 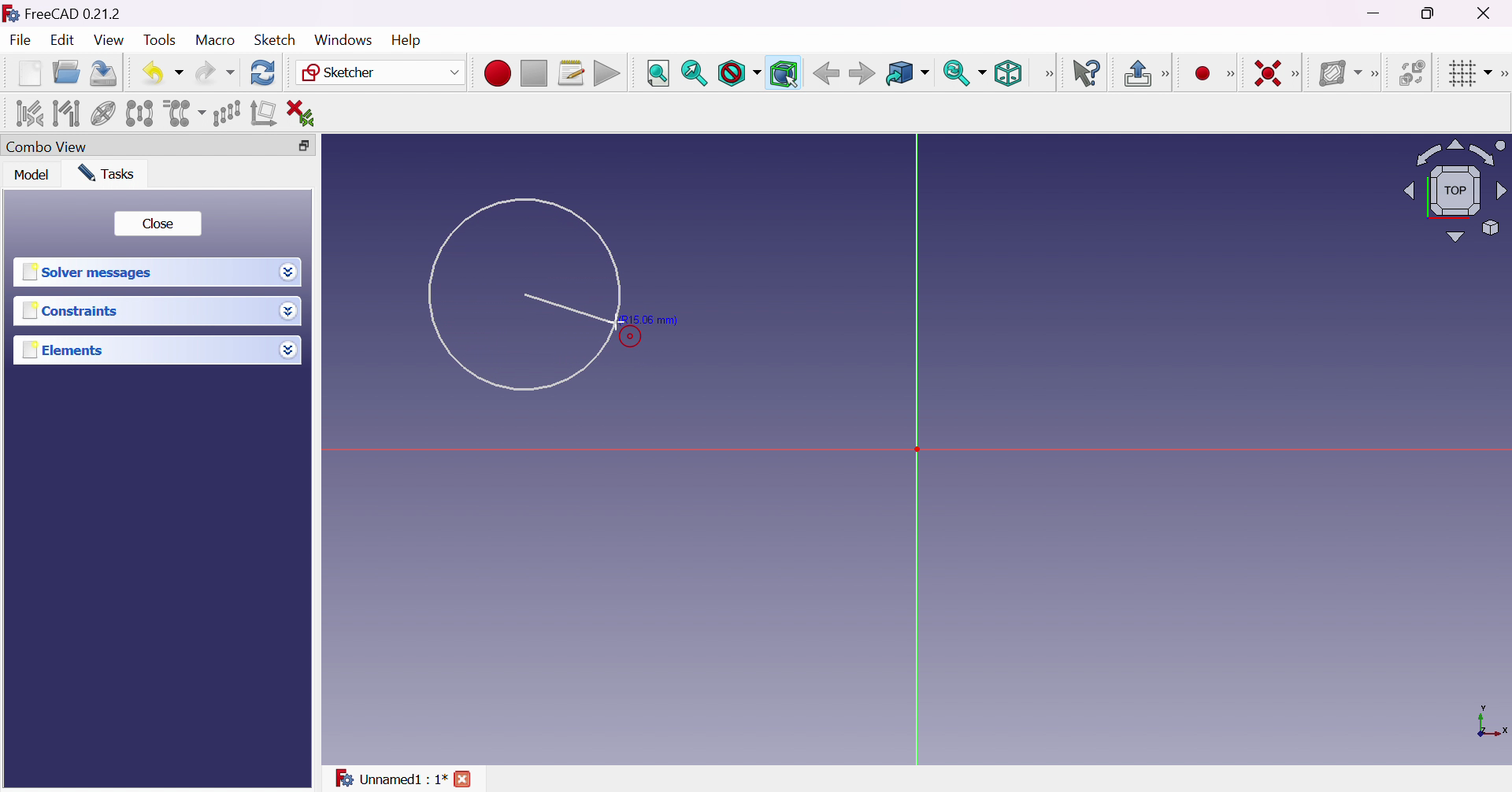 I want to click on Unnamed : 1*, so click(x=390, y=775).